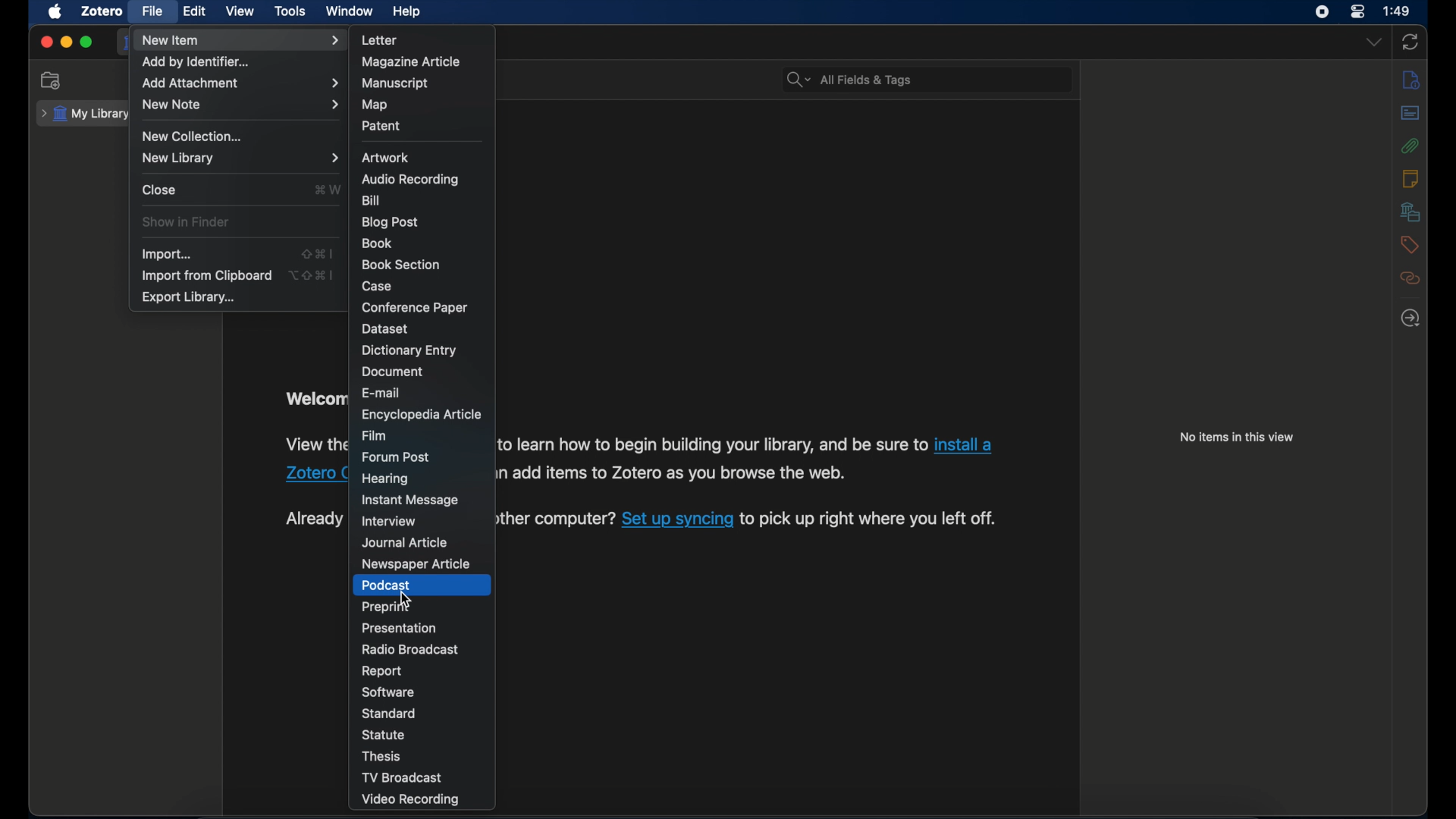 The image size is (1456, 819). Describe the element at coordinates (557, 519) in the screenshot. I see `ther computer?` at that location.